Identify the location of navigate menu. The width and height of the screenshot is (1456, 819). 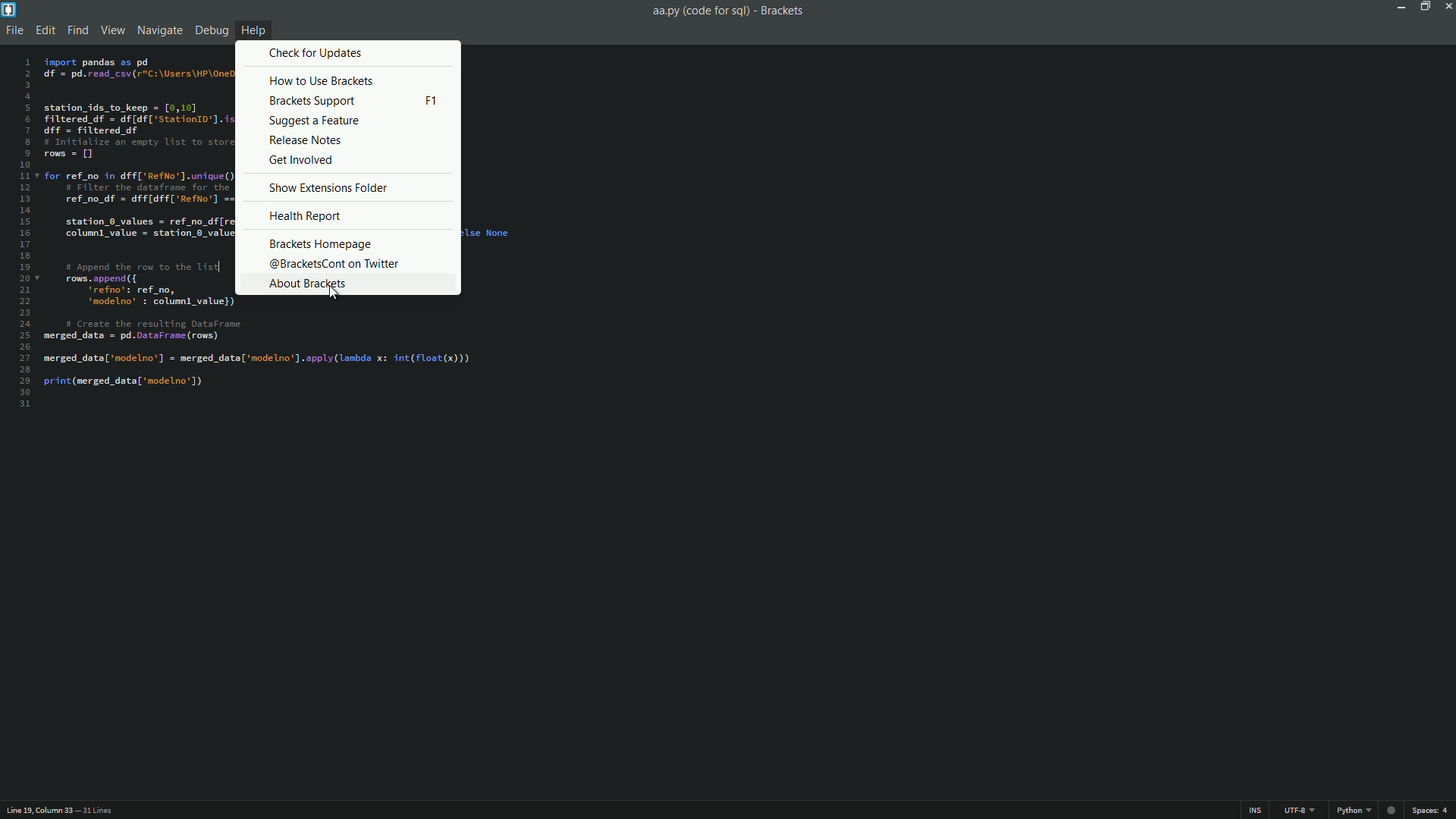
(159, 30).